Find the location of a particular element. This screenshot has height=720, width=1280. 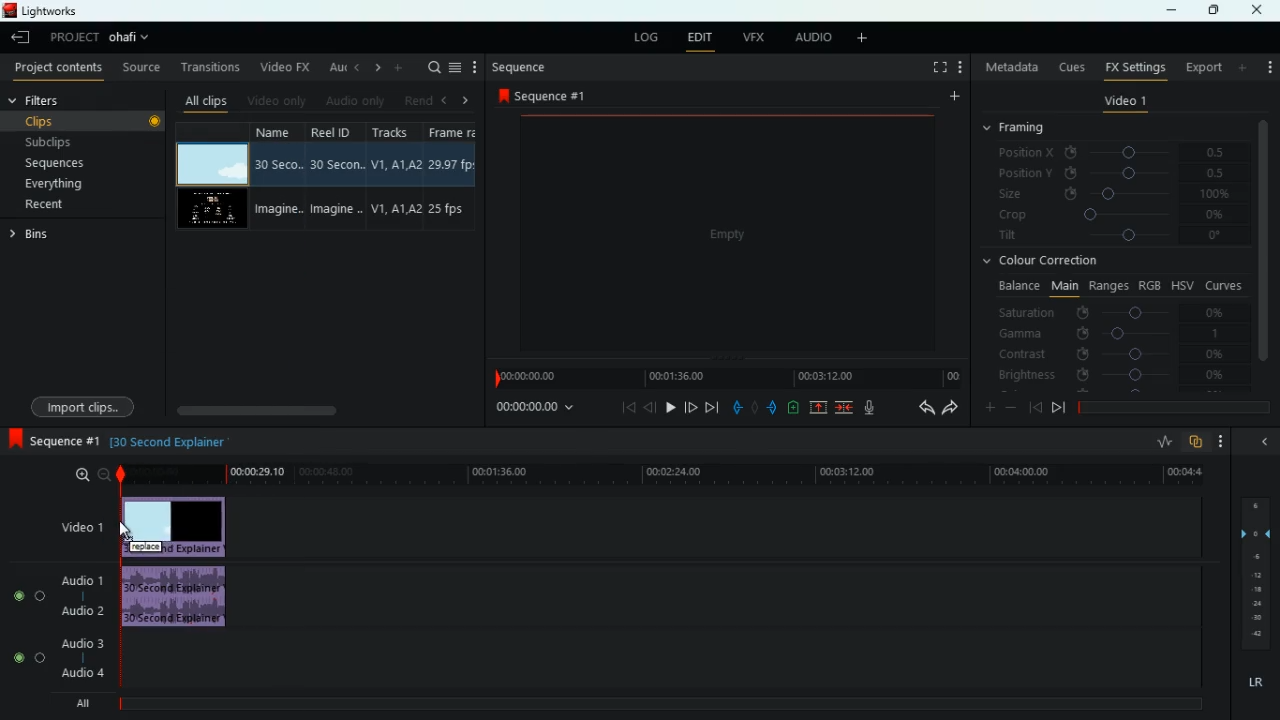

transitions is located at coordinates (206, 67).